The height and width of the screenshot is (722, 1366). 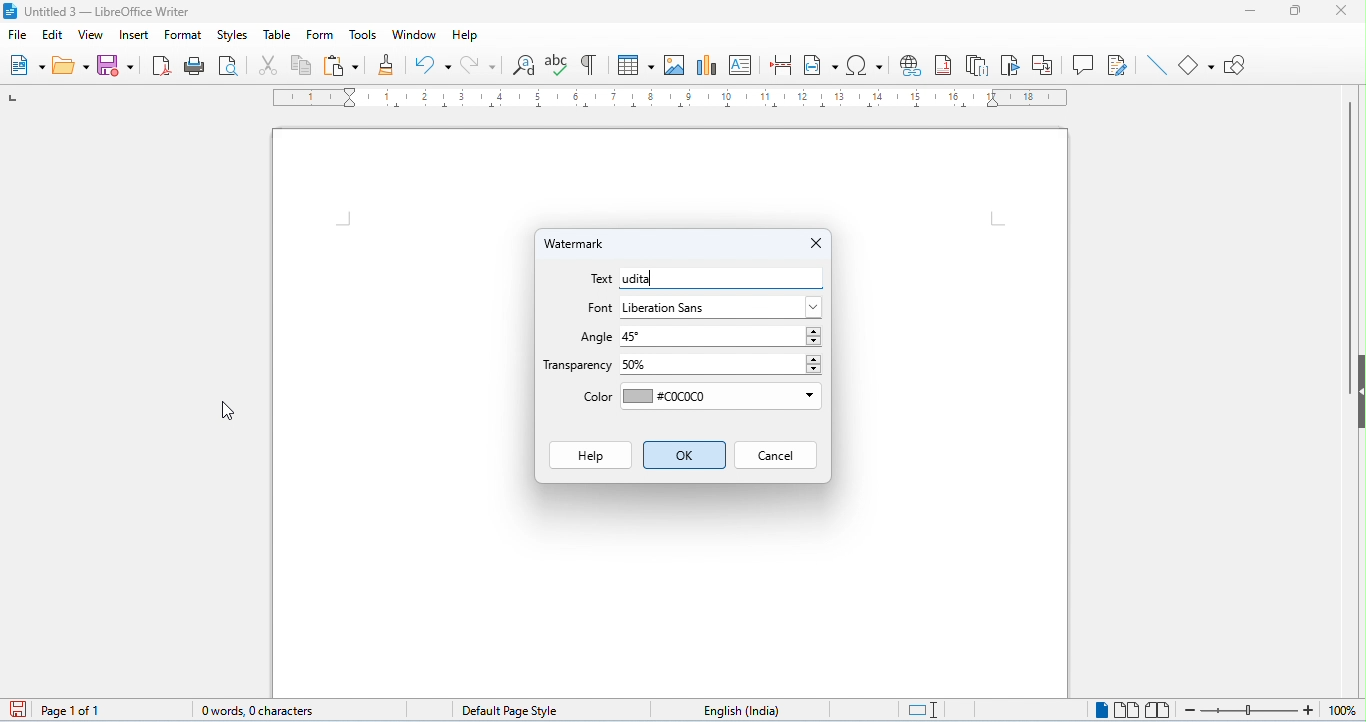 What do you see at coordinates (279, 35) in the screenshot?
I see `table` at bounding box center [279, 35].